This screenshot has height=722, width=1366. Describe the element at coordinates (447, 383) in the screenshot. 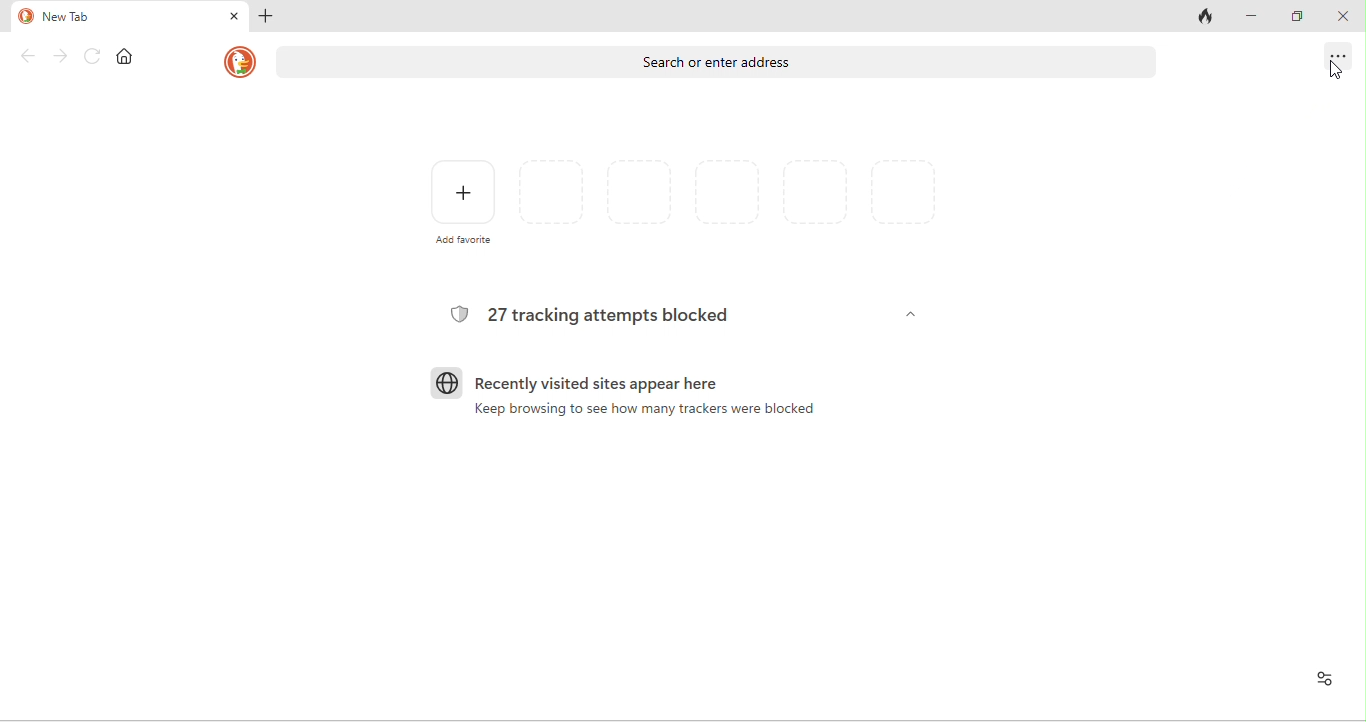

I see `browser logo` at that location.